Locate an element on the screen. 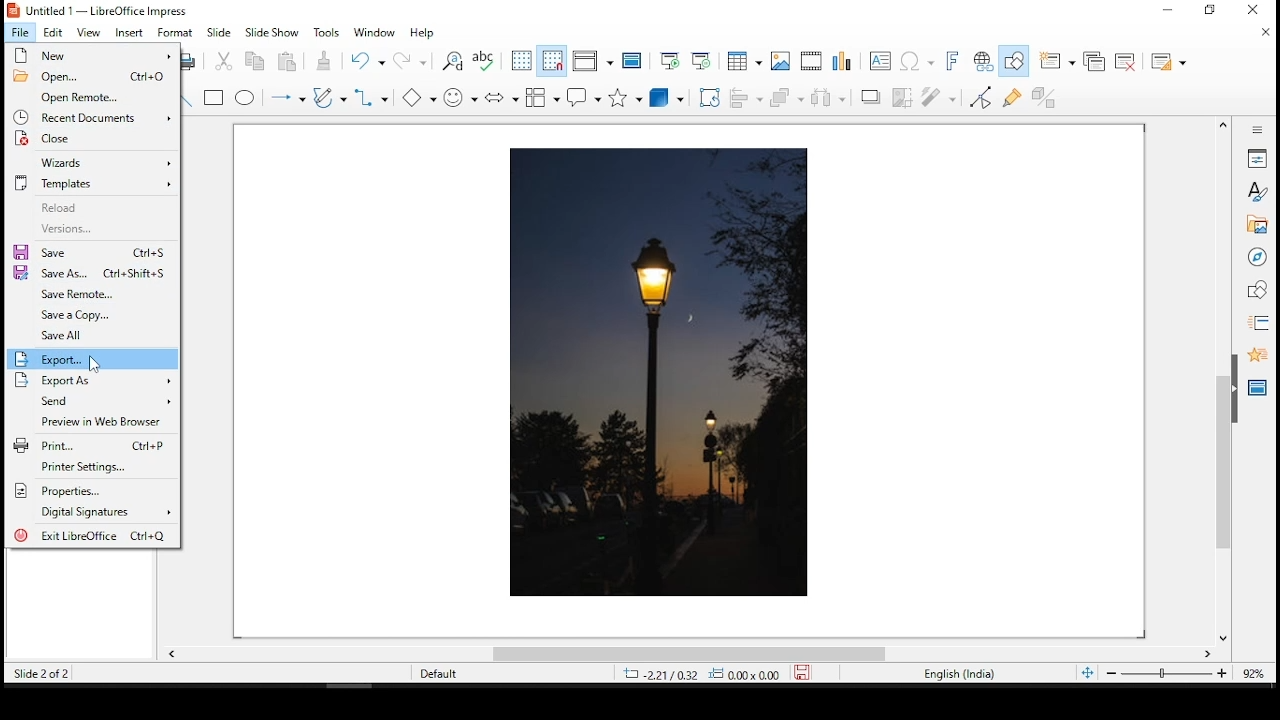 Image resolution: width=1280 pixels, height=720 pixels. export as is located at coordinates (95, 380).